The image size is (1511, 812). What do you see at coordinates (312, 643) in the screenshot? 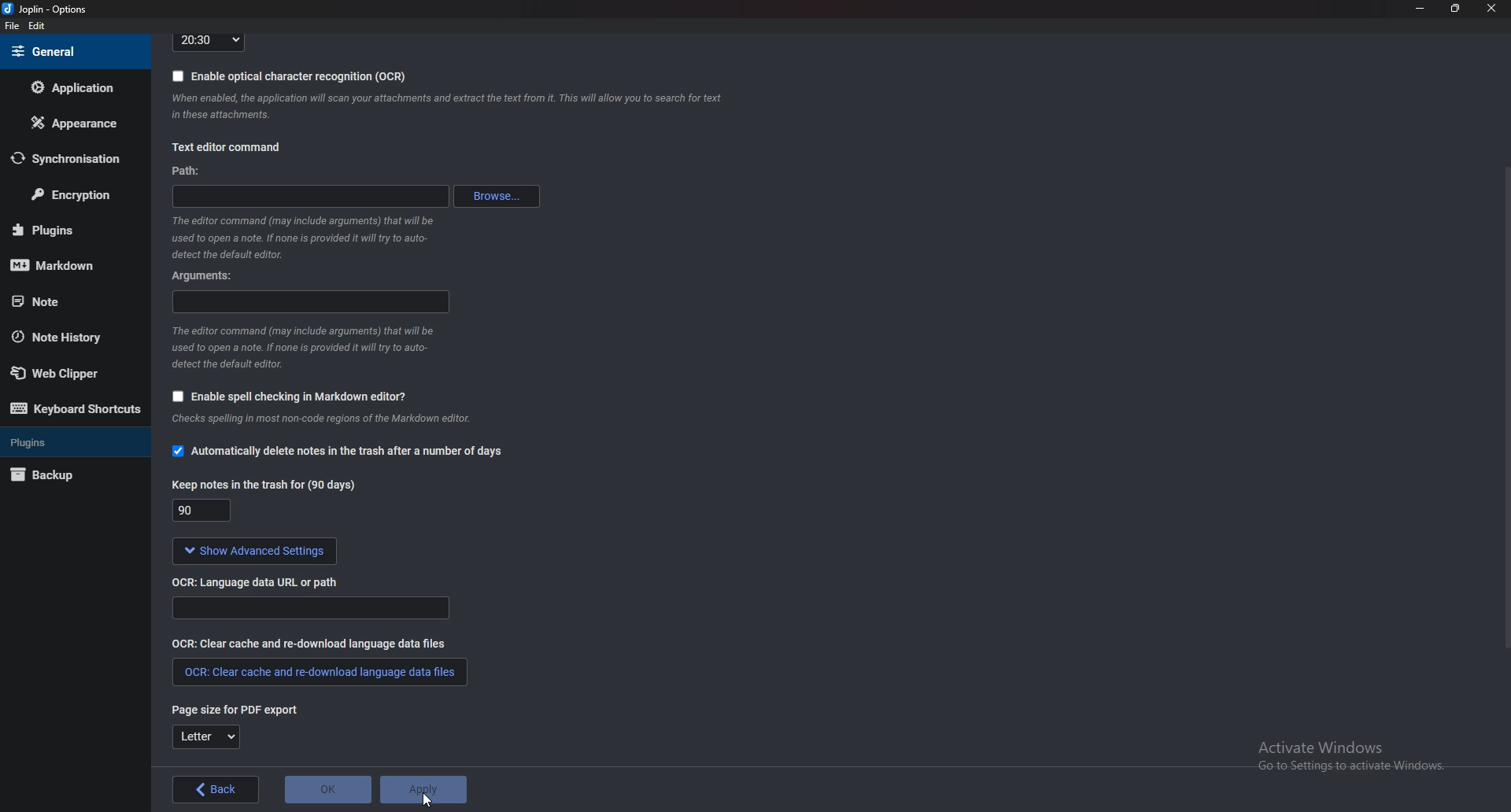
I see `O C R clear cache and re download language` at bounding box center [312, 643].